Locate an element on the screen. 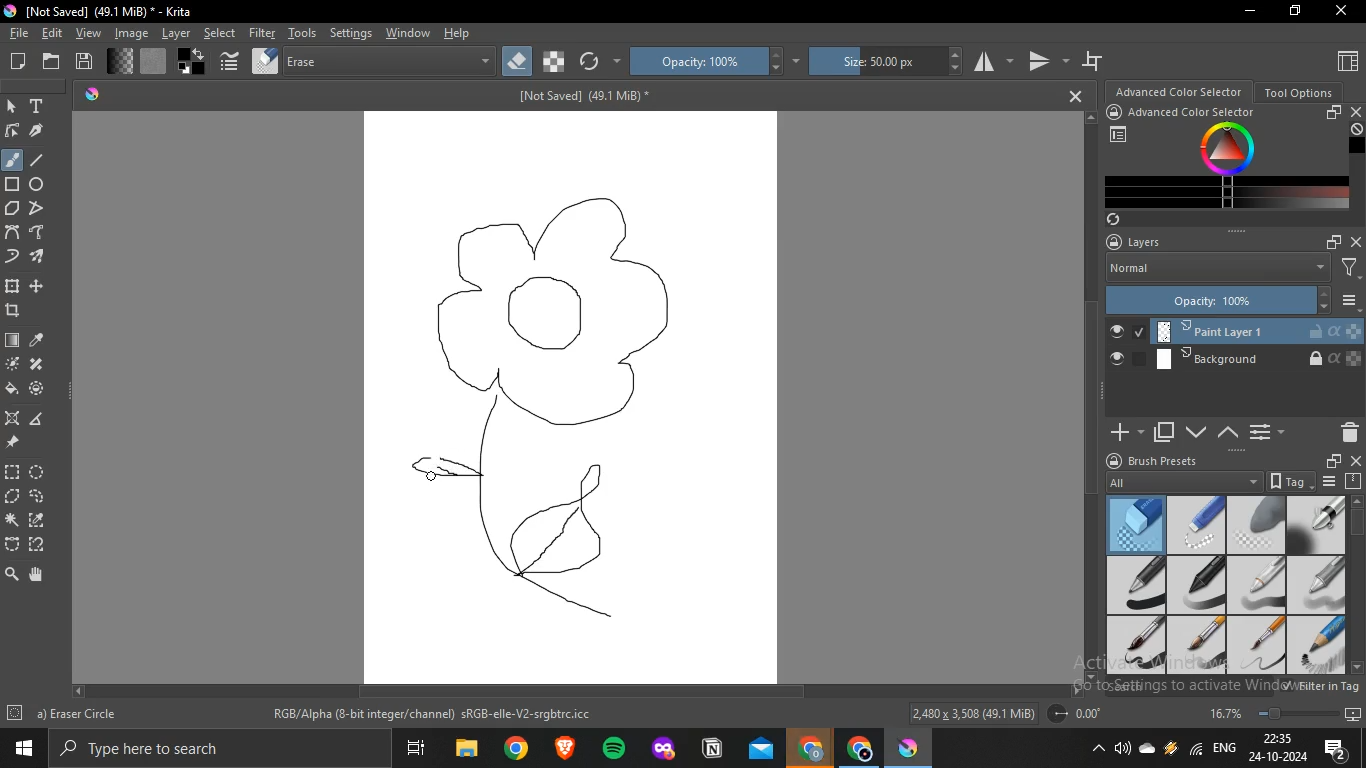 This screenshot has width=1366, height=768. eraser circle is located at coordinates (1136, 522).